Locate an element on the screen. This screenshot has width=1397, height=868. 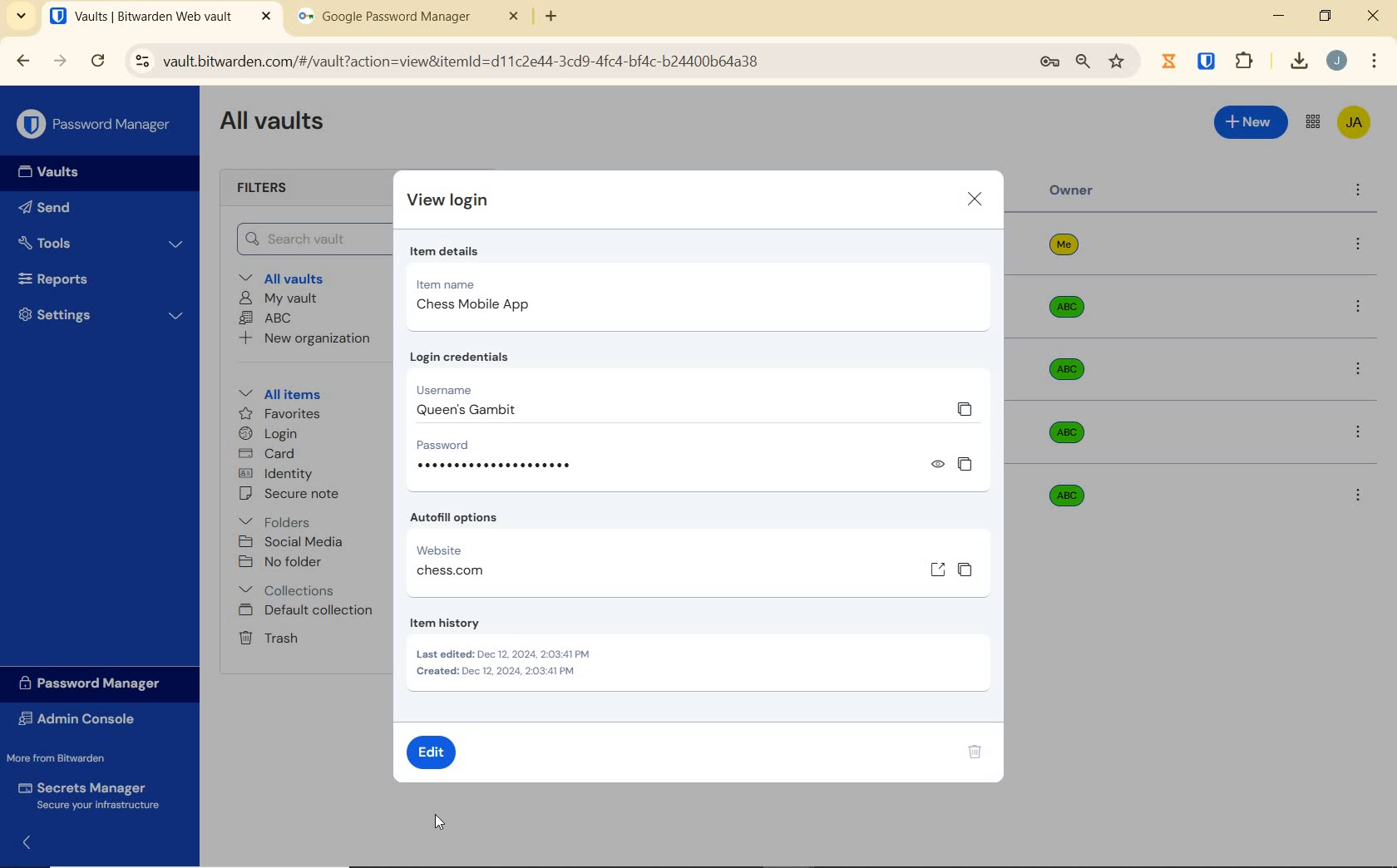
open tab is located at coordinates (160, 17).